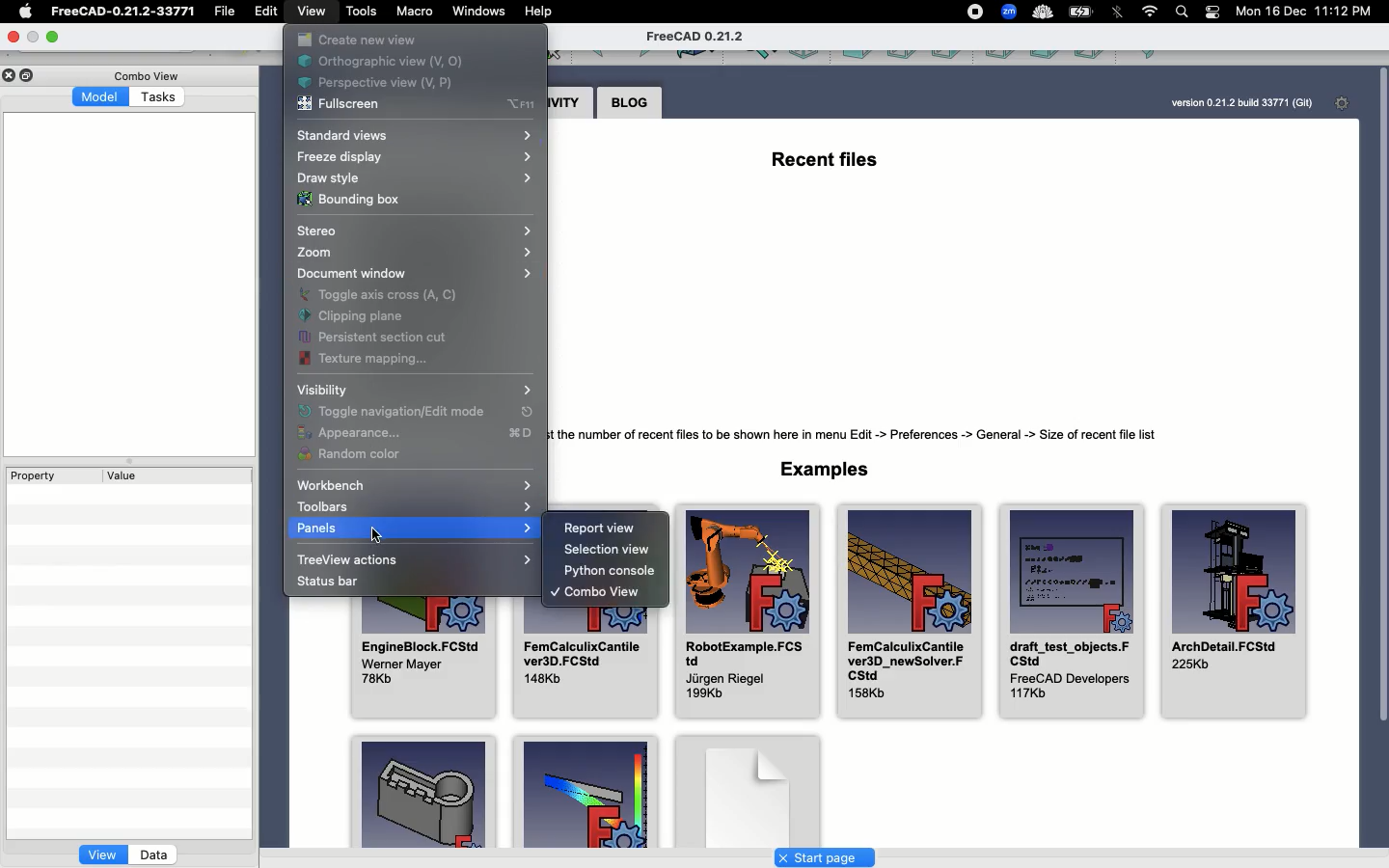 This screenshot has width=1389, height=868. What do you see at coordinates (1213, 15) in the screenshot?
I see `Notification ` at bounding box center [1213, 15].